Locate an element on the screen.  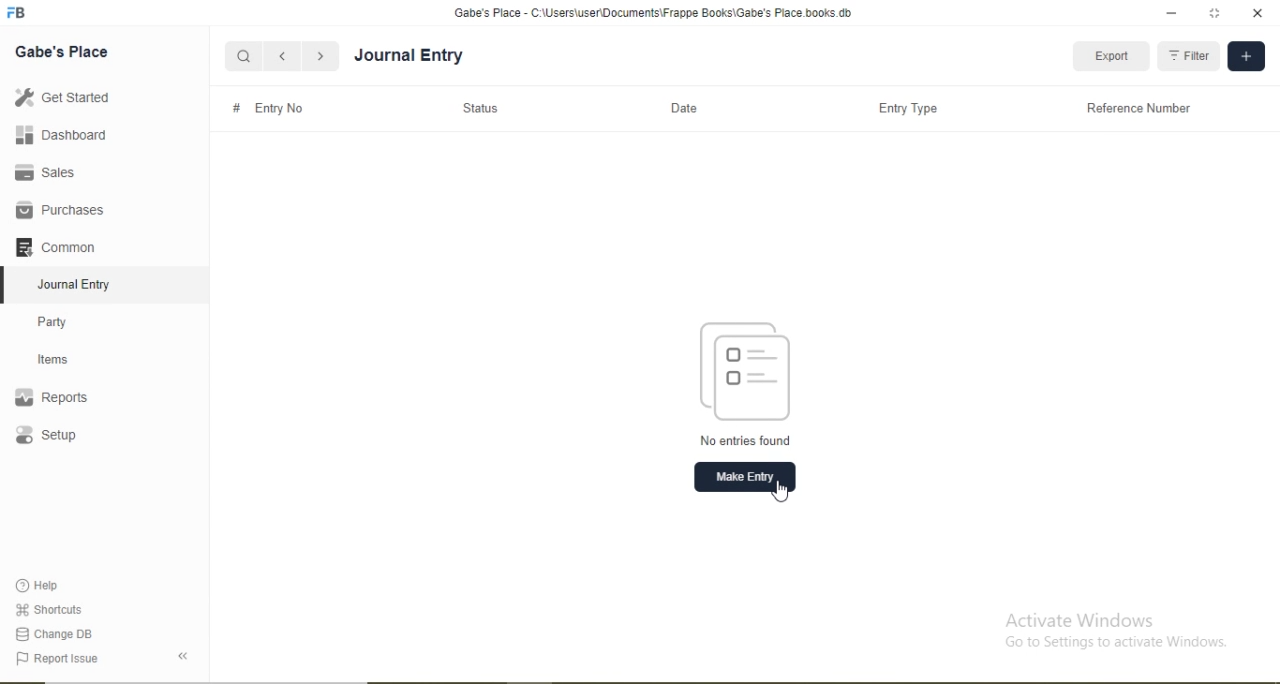
No entries found is located at coordinates (743, 440).